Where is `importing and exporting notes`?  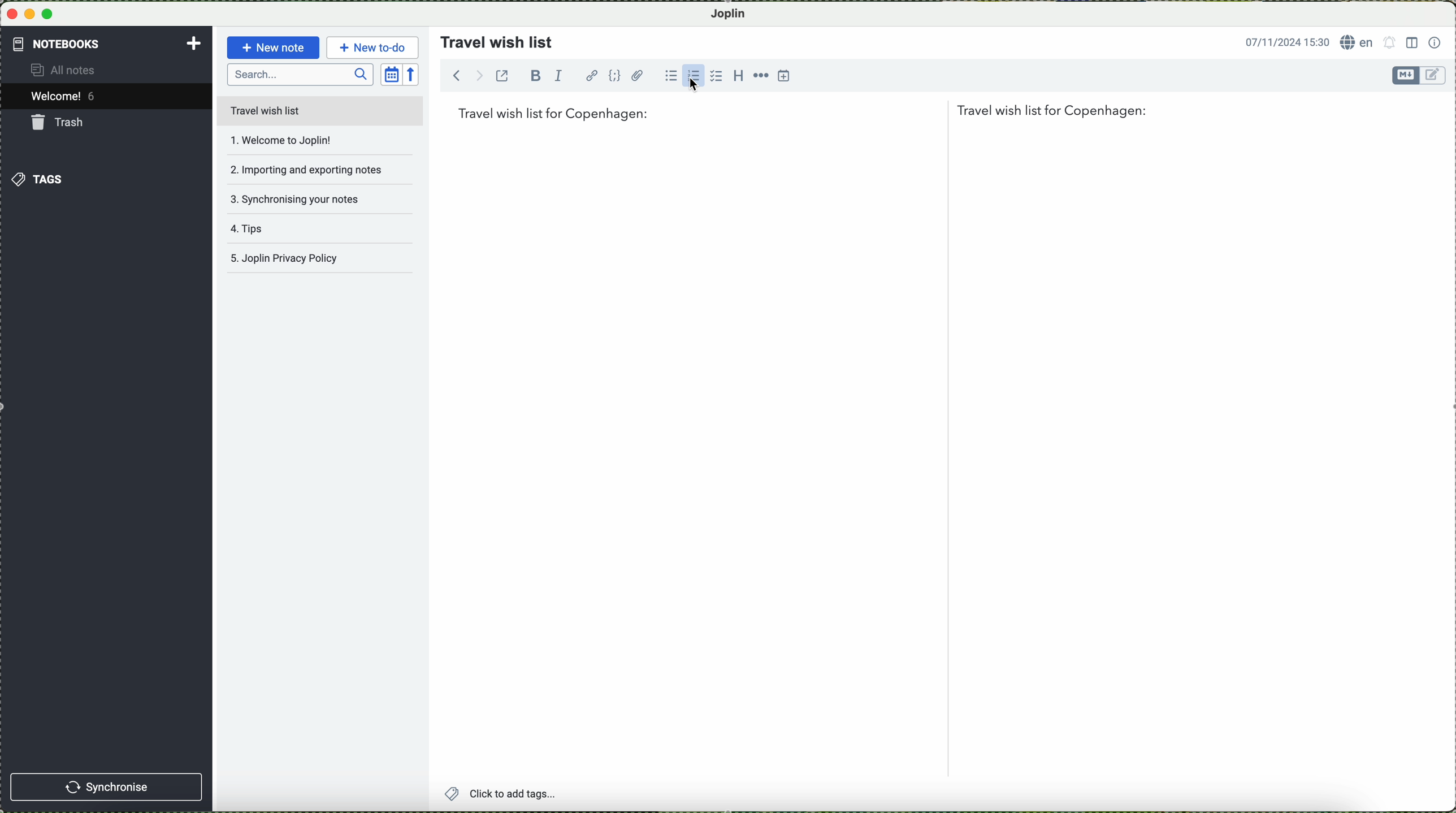
importing and exporting notes is located at coordinates (306, 168).